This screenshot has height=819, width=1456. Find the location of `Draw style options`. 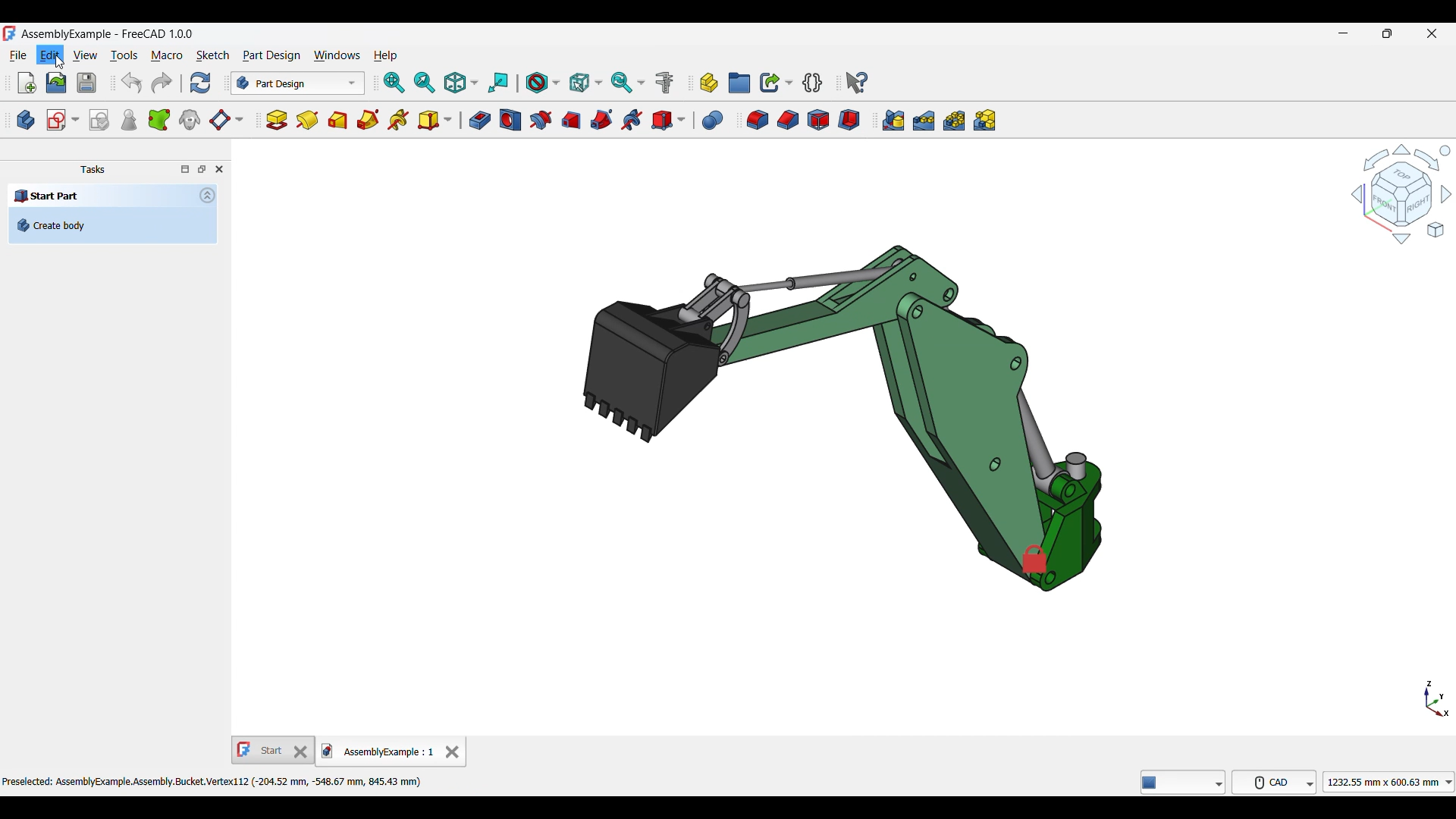

Draw style options is located at coordinates (543, 83).